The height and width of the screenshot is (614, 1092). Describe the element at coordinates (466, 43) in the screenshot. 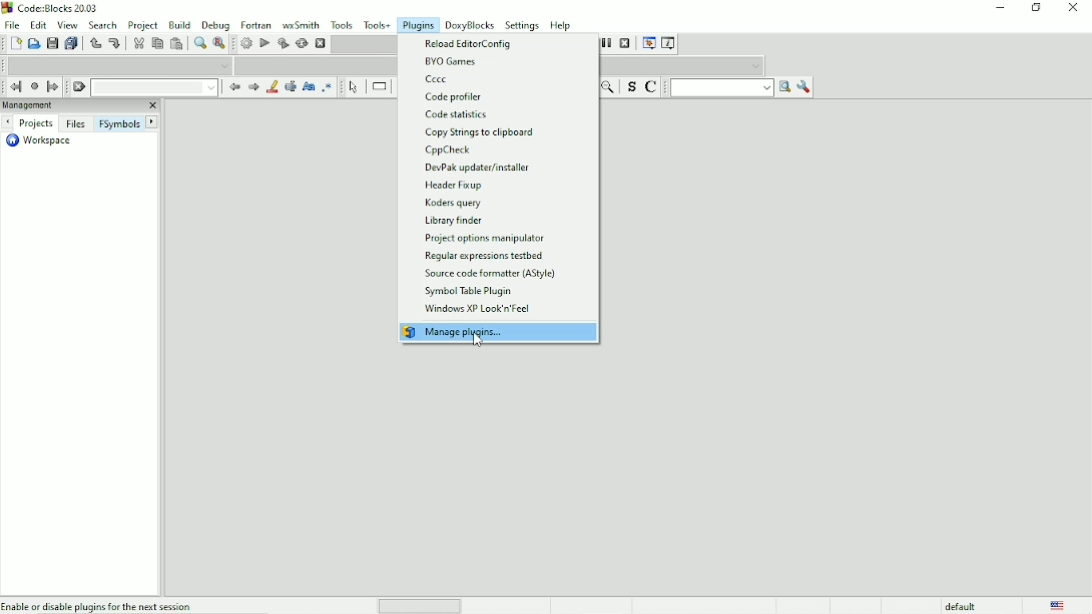

I see `Reload editorconfig` at that location.